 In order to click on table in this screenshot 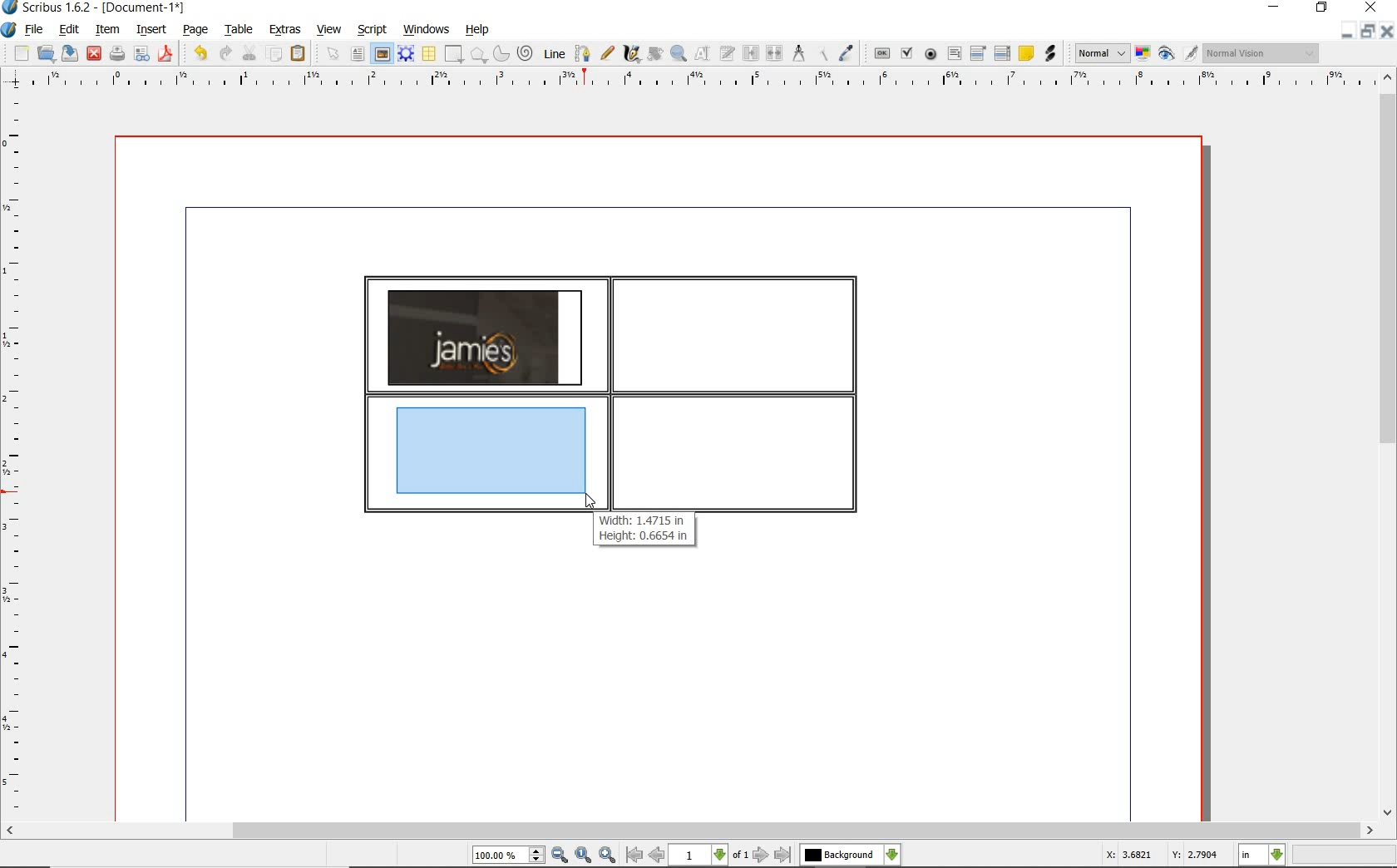, I will do `click(430, 55)`.